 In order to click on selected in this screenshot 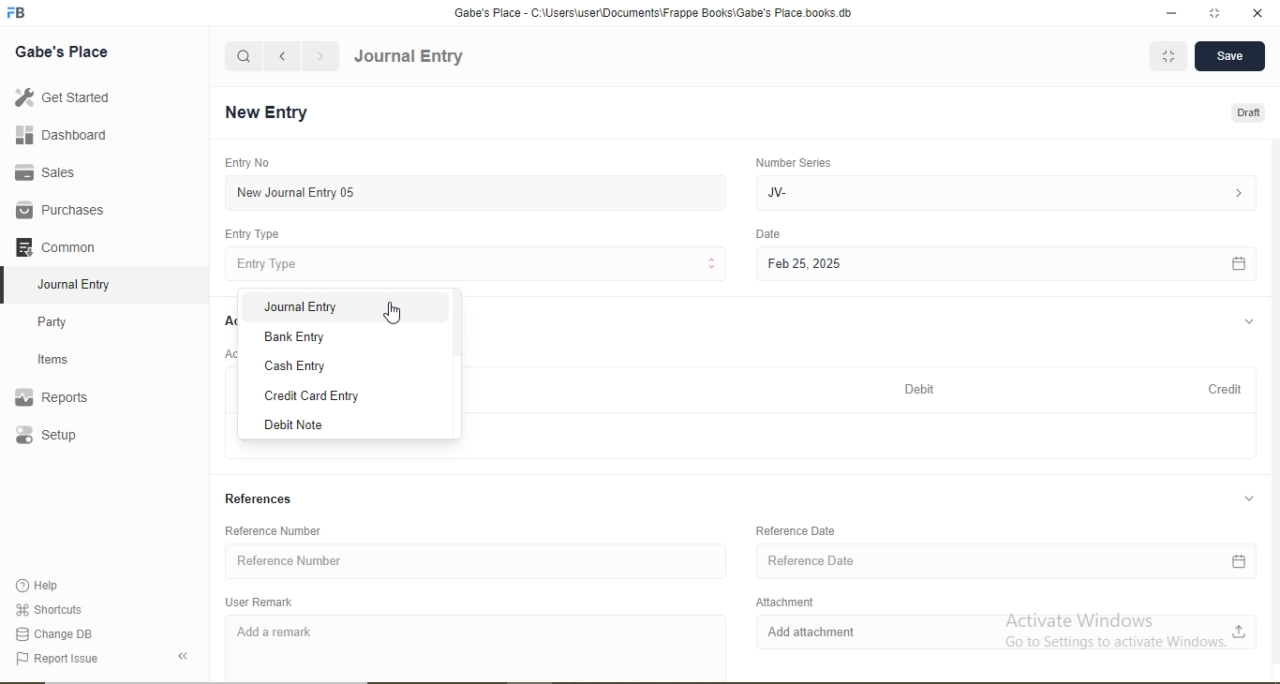, I will do `click(8, 284)`.